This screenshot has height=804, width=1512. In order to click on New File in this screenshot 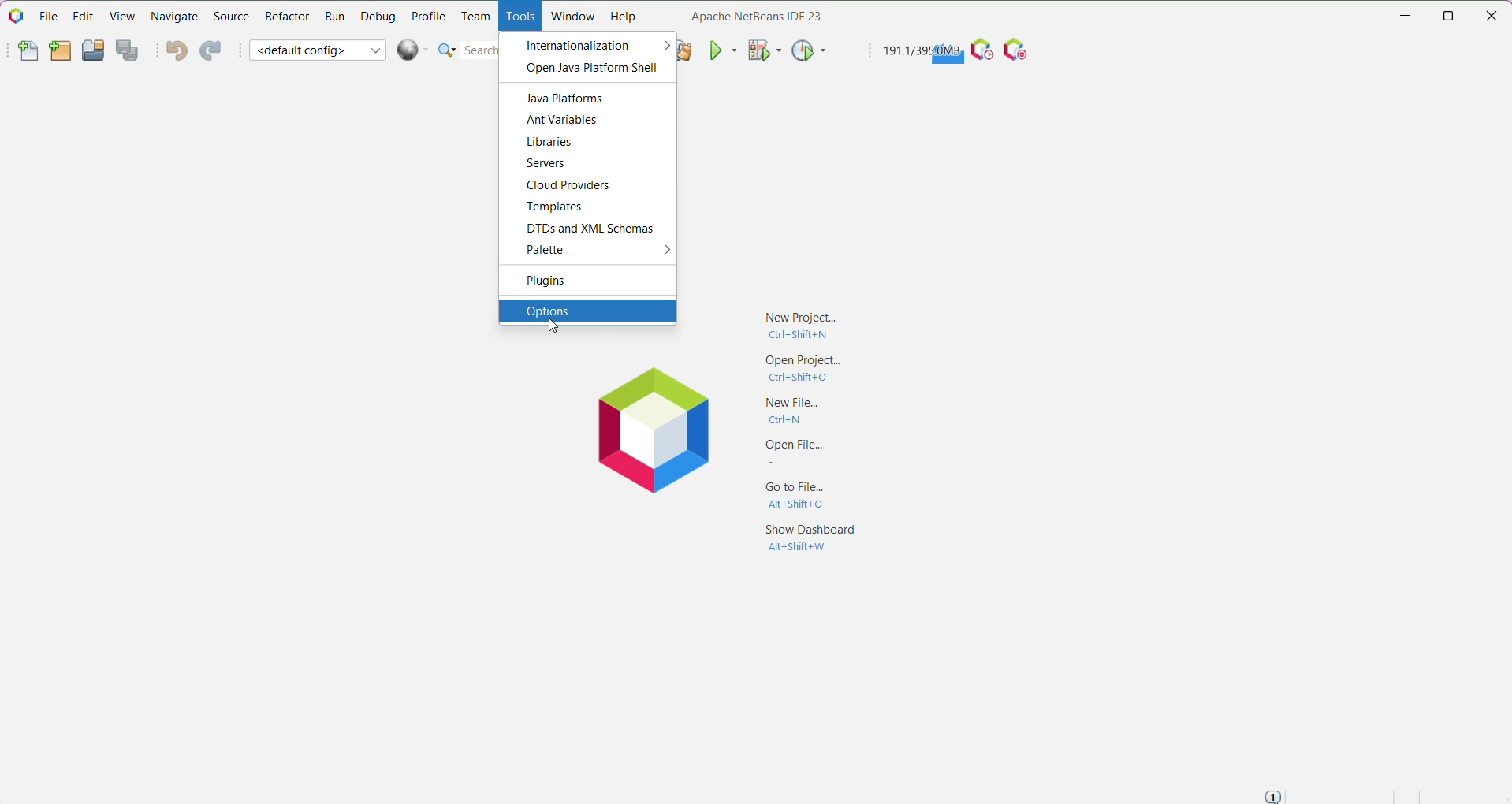, I will do `click(20, 52)`.